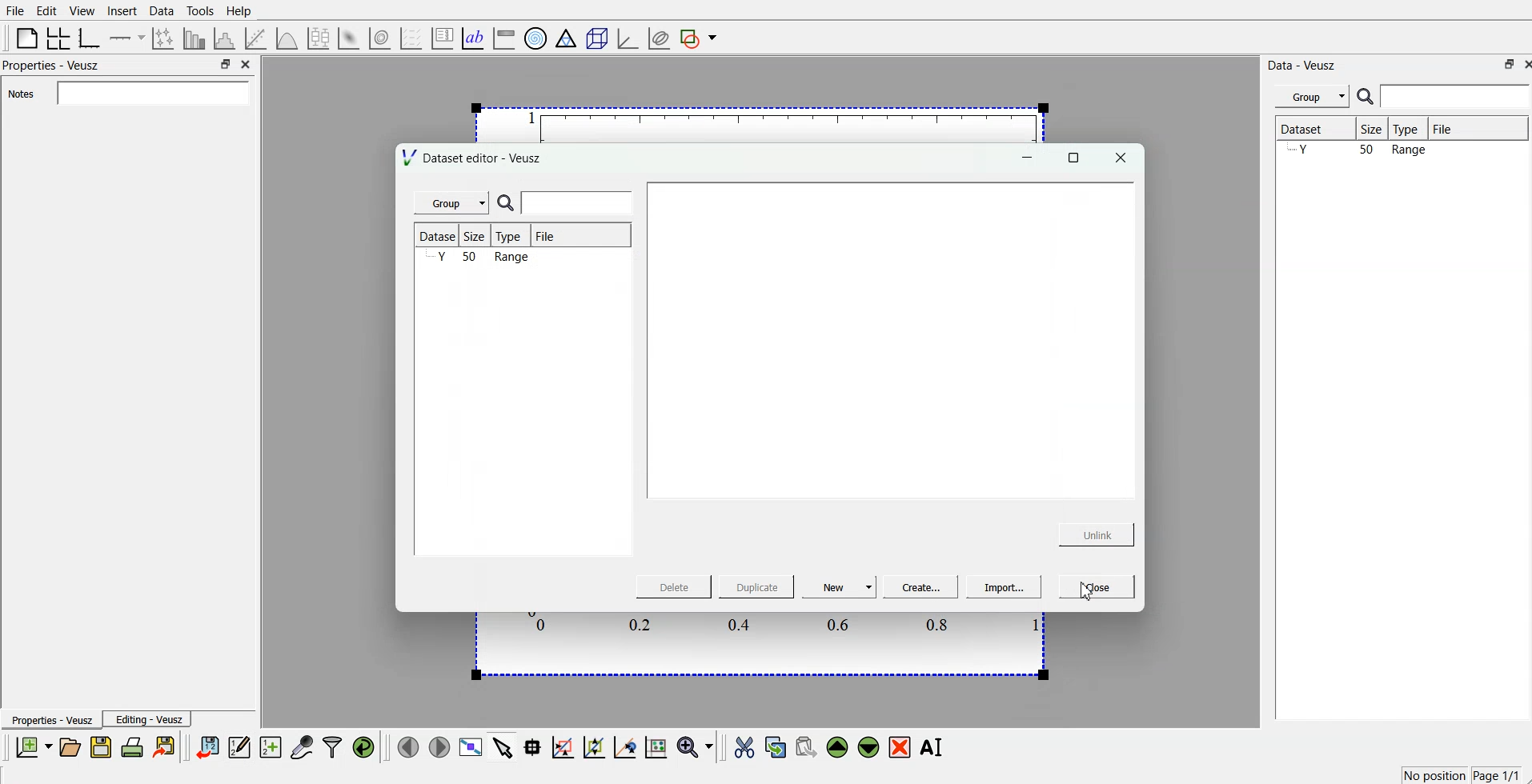  What do you see at coordinates (595, 748) in the screenshot?
I see `click to zoom out graph axes` at bounding box center [595, 748].